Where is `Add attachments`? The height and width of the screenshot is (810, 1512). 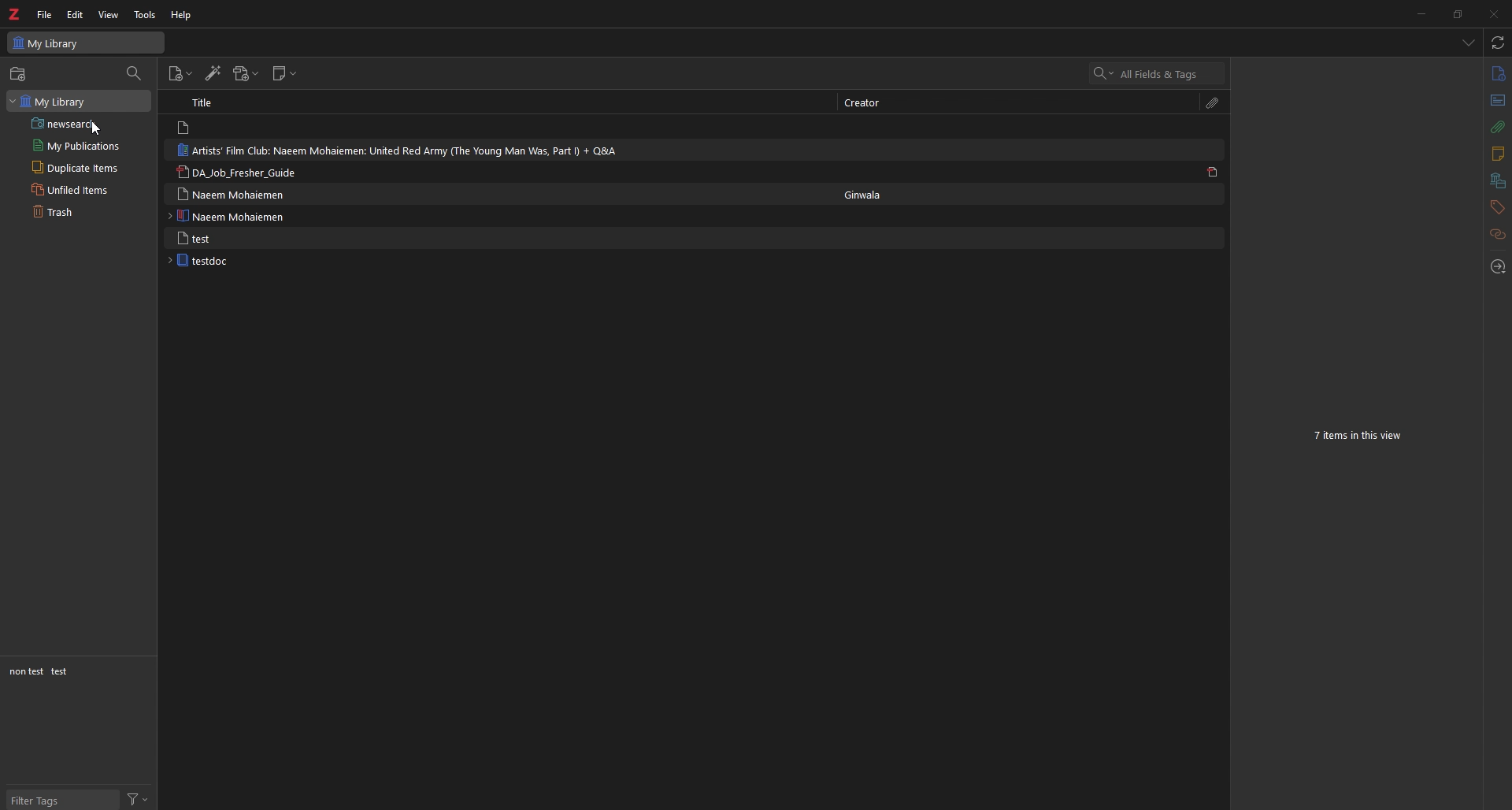
Add attachments is located at coordinates (243, 74).